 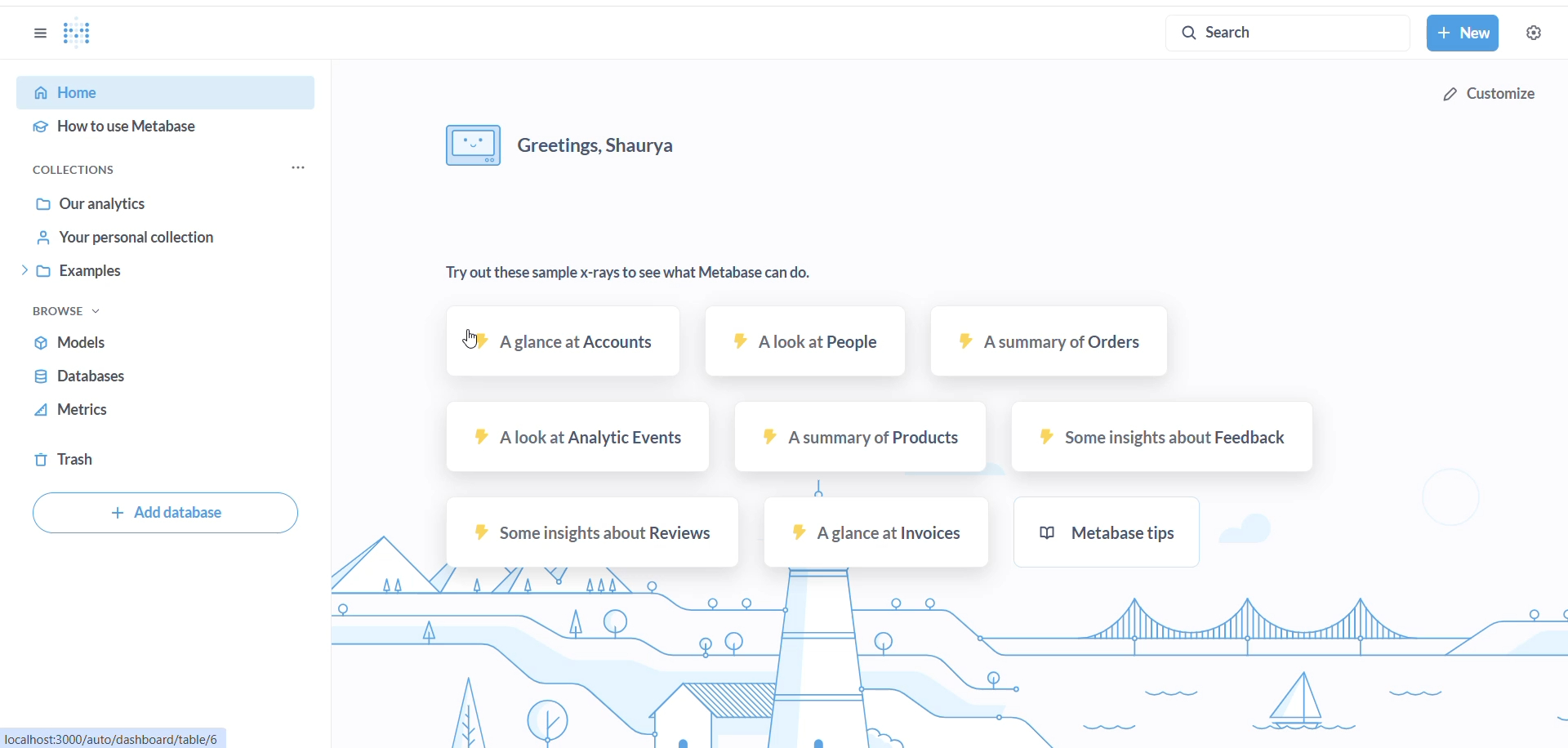 I want to click on A glance at invoices sample, so click(x=883, y=532).